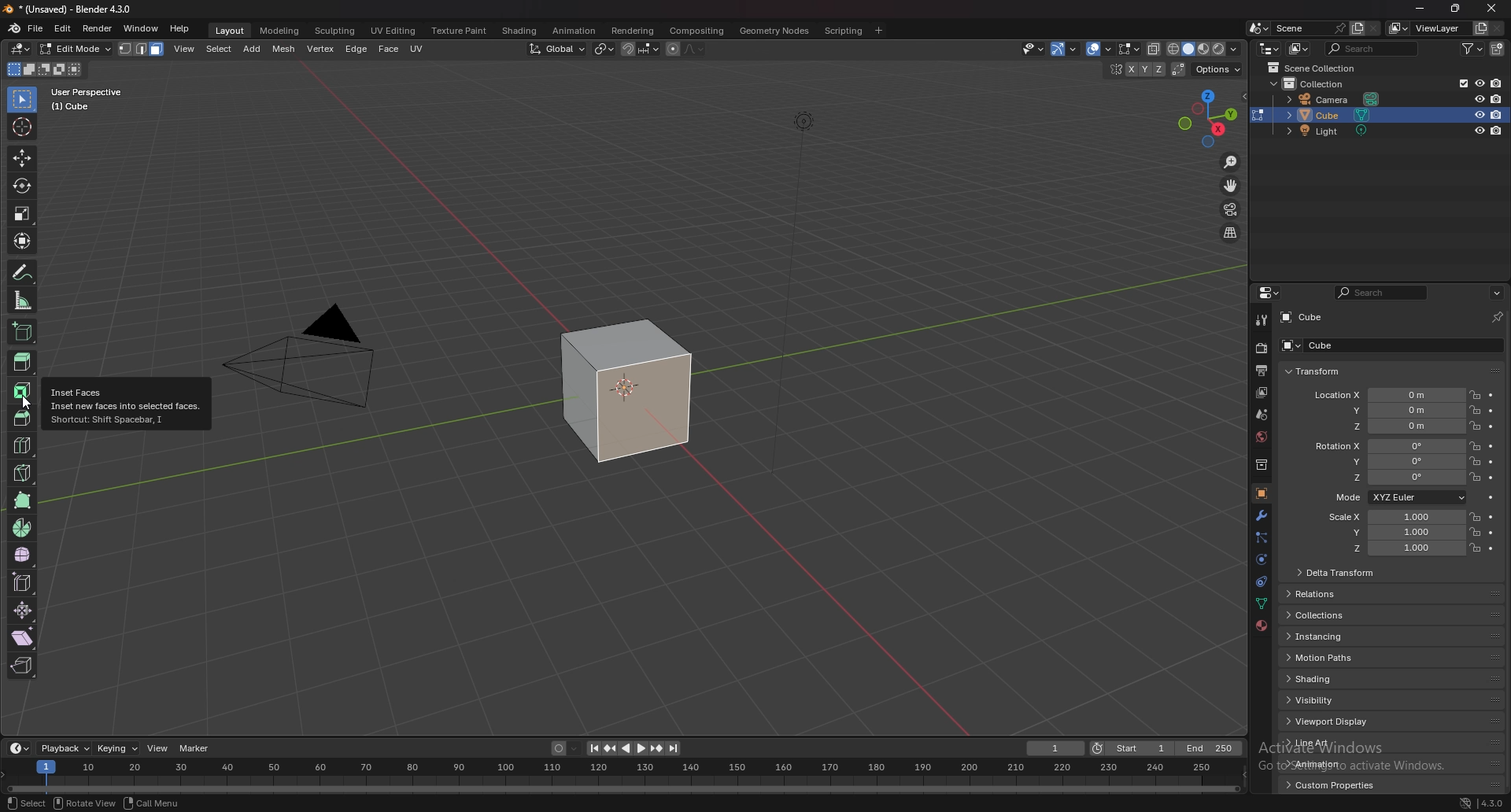  What do you see at coordinates (195, 747) in the screenshot?
I see `marker` at bounding box center [195, 747].